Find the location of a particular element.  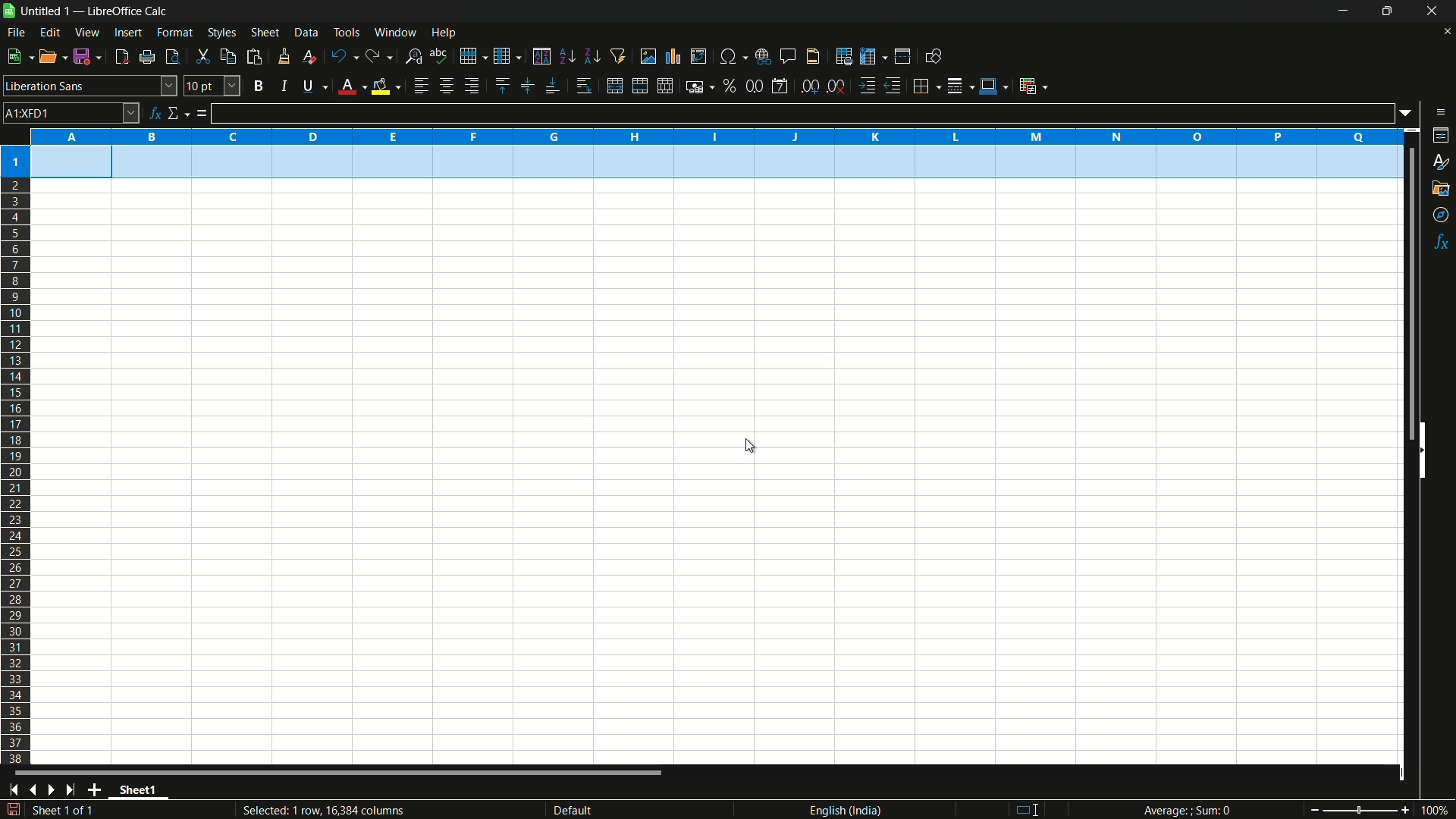

sheet name is located at coordinates (143, 792).